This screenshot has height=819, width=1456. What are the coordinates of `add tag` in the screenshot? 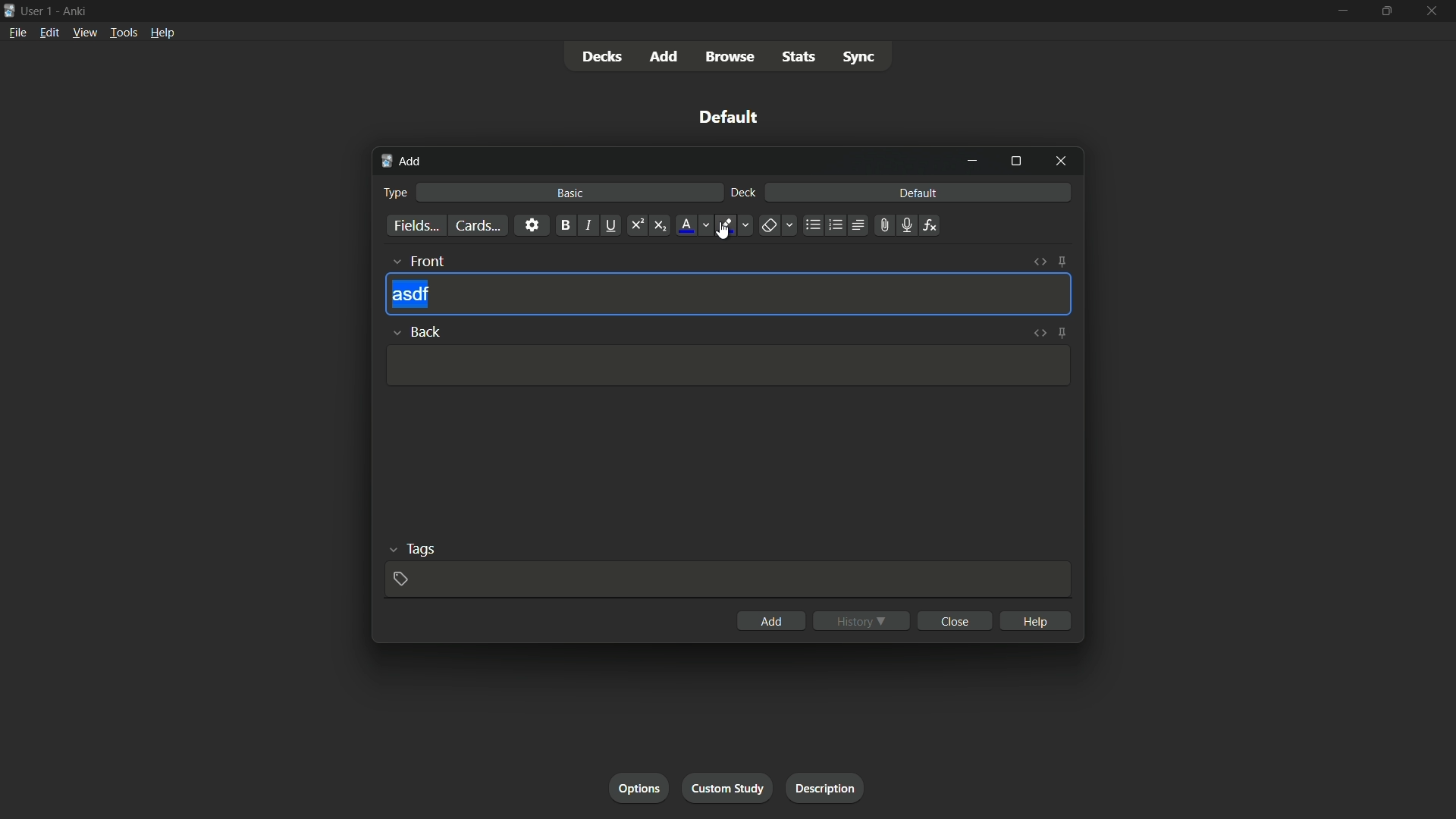 It's located at (401, 579).